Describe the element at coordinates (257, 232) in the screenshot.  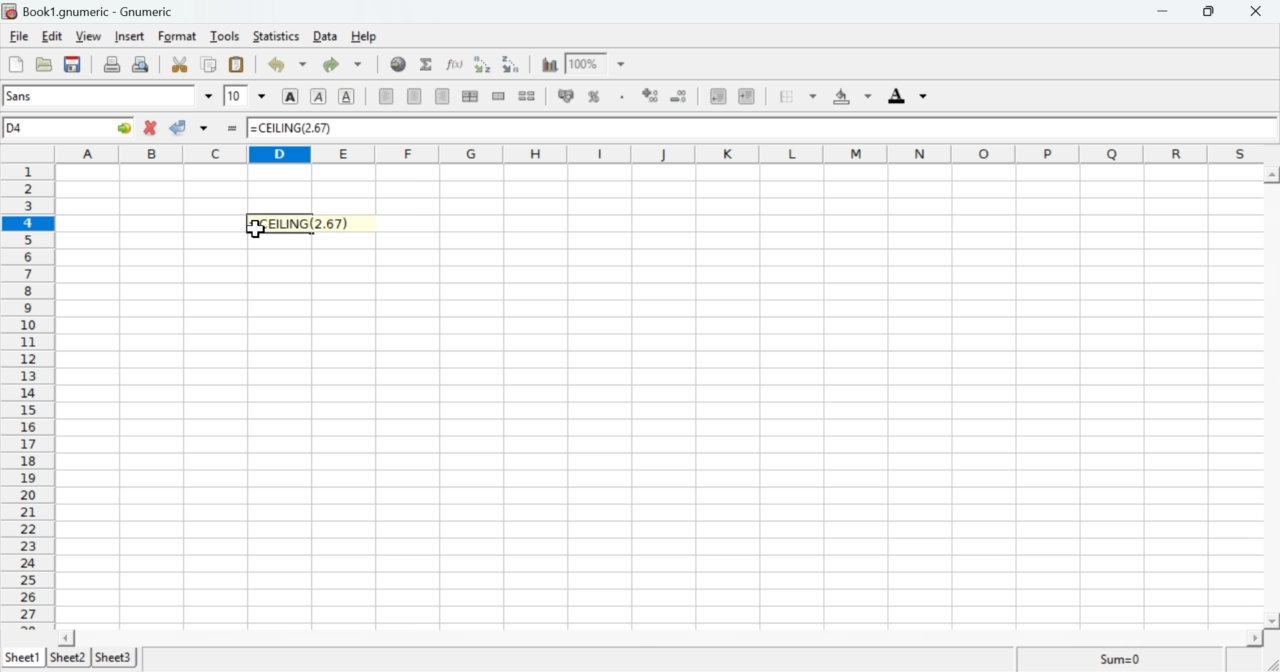
I see `cursor` at that location.